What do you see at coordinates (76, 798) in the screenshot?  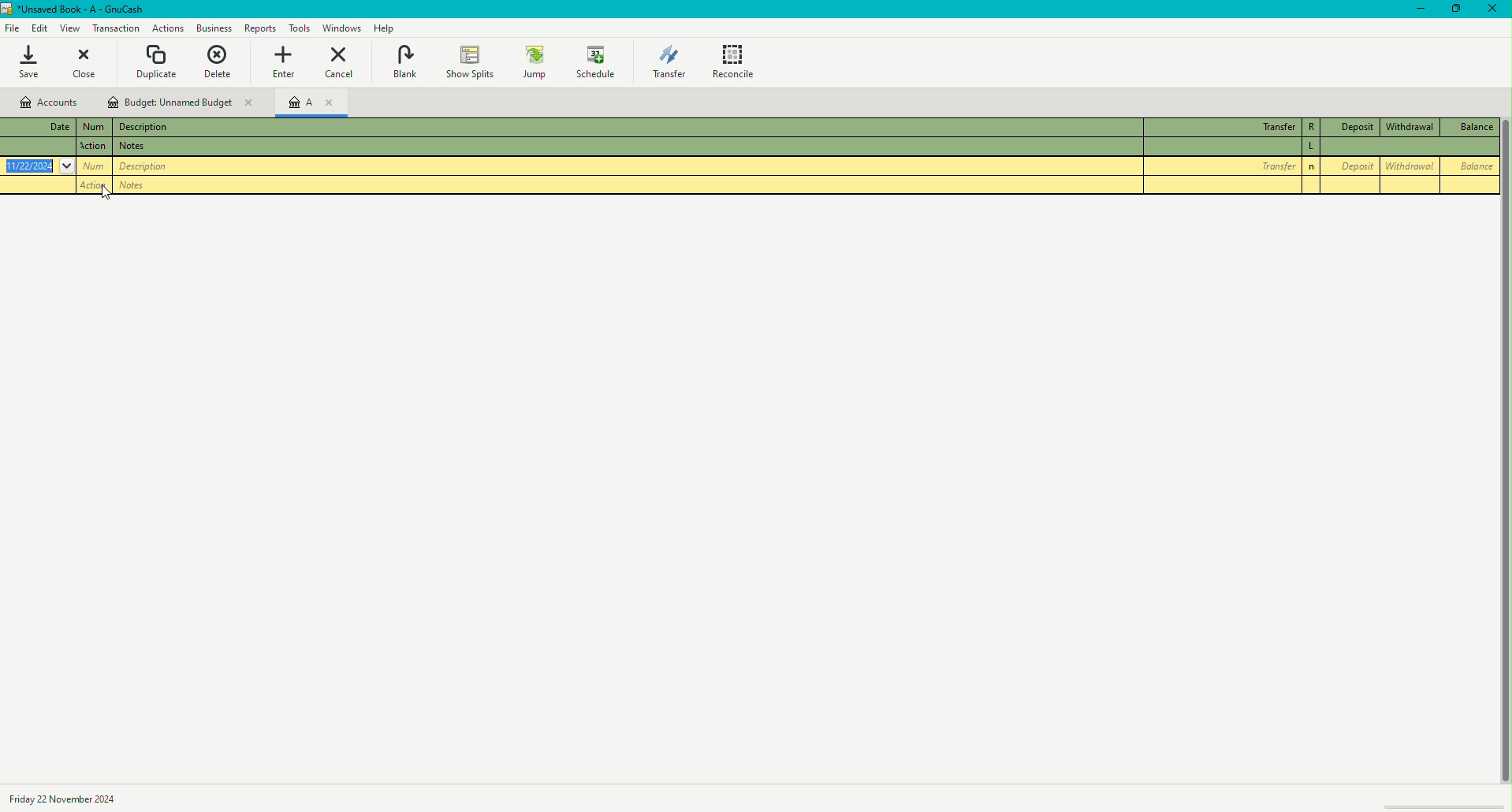 I see `Description` at bounding box center [76, 798].